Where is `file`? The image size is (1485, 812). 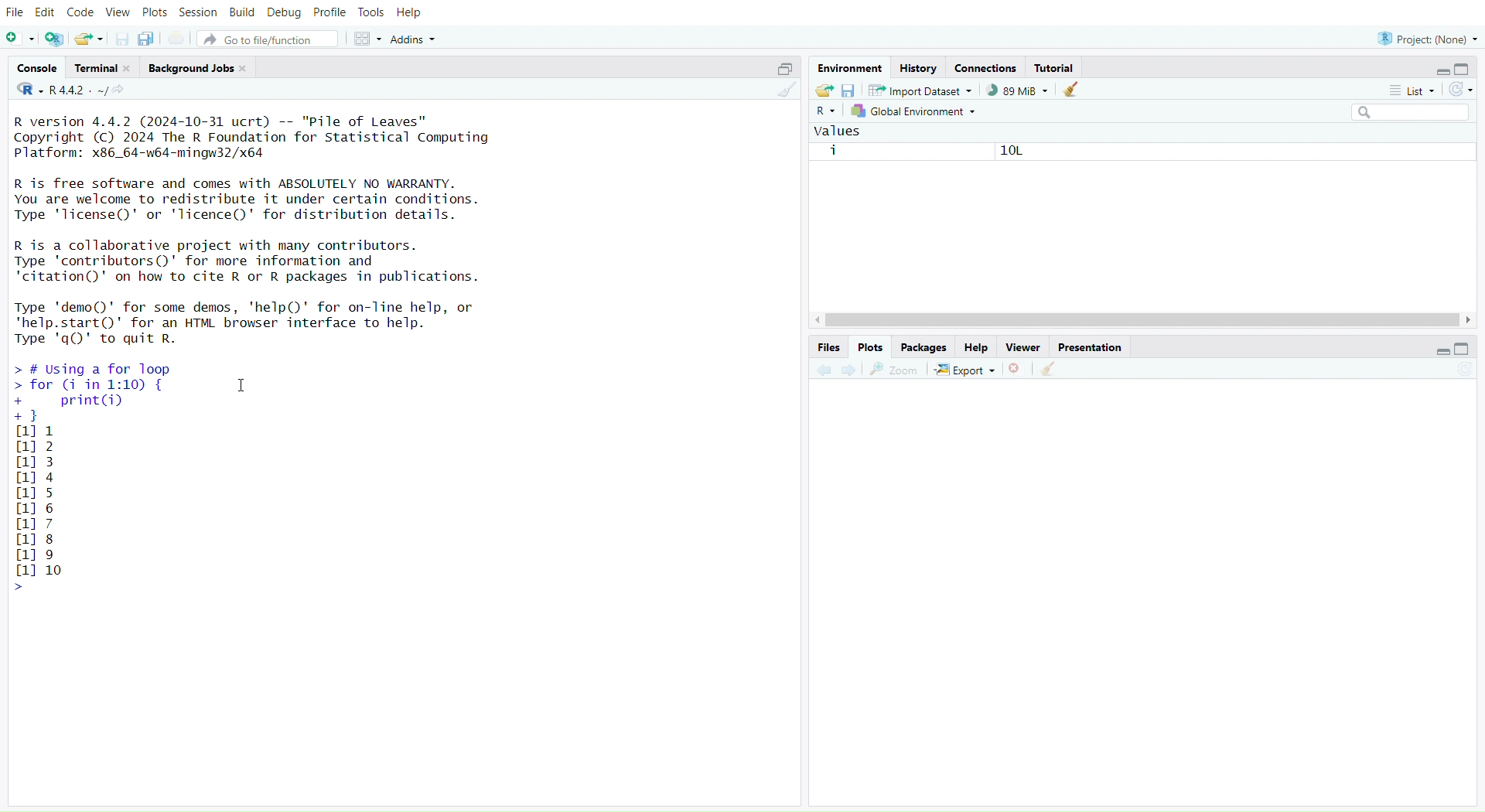 file is located at coordinates (17, 12).